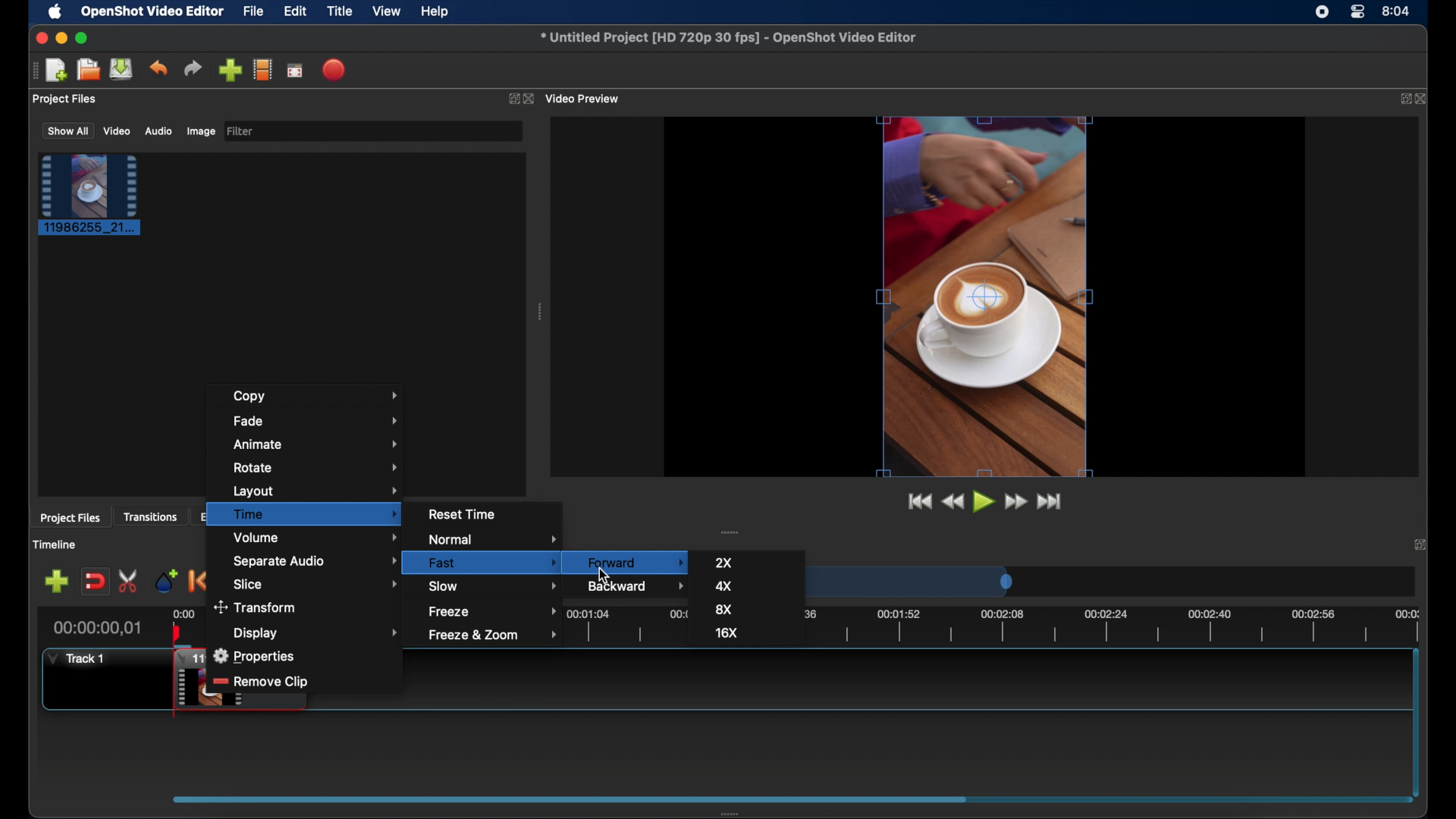  What do you see at coordinates (58, 69) in the screenshot?
I see `new project` at bounding box center [58, 69].